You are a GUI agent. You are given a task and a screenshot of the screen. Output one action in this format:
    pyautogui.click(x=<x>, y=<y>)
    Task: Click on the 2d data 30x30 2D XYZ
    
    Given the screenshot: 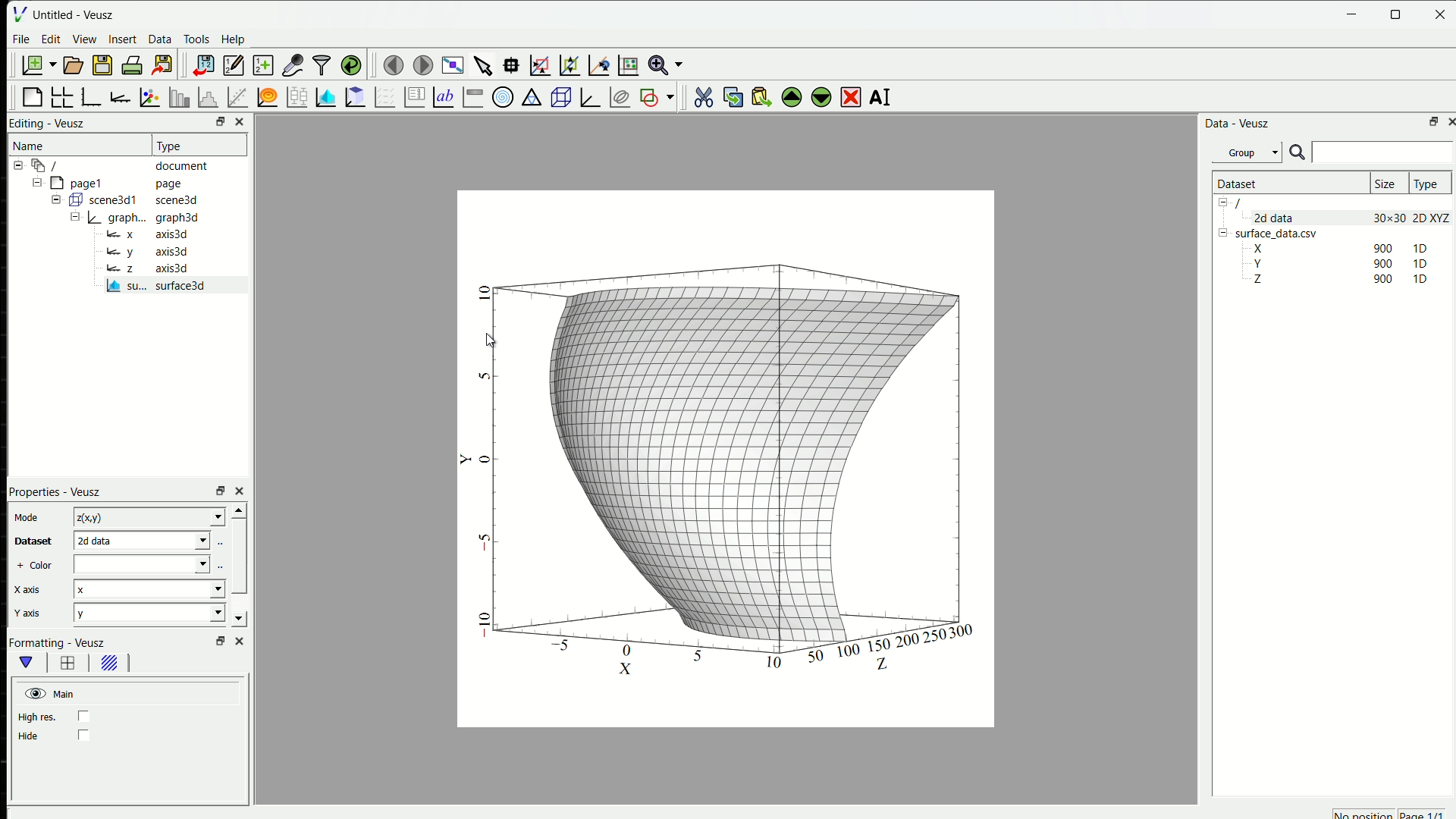 What is the action you would take?
    pyautogui.click(x=1353, y=218)
    